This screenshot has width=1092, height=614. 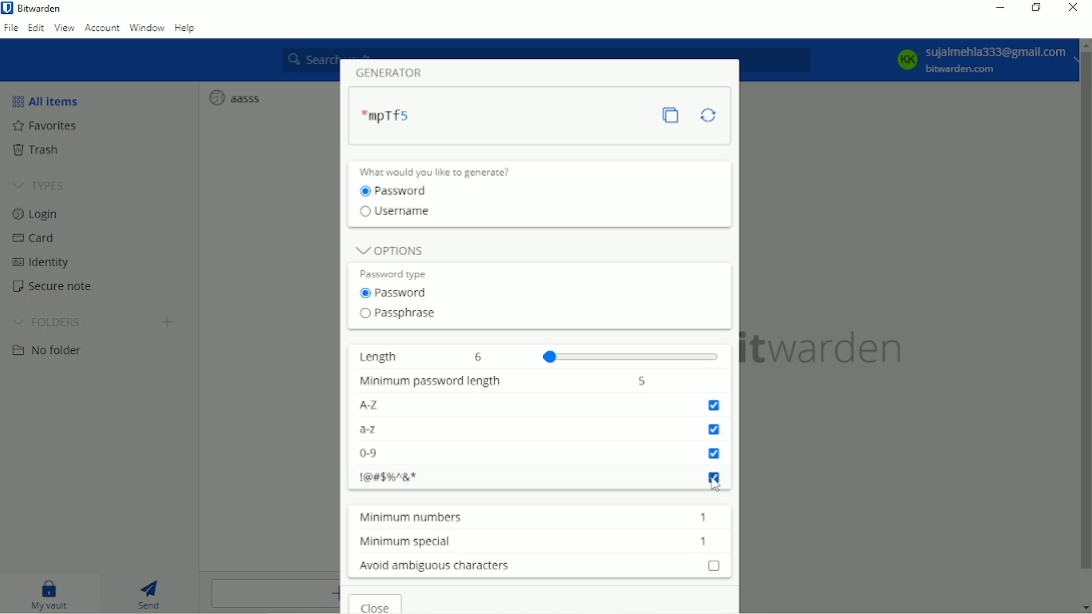 I want to click on My vault, so click(x=50, y=592).